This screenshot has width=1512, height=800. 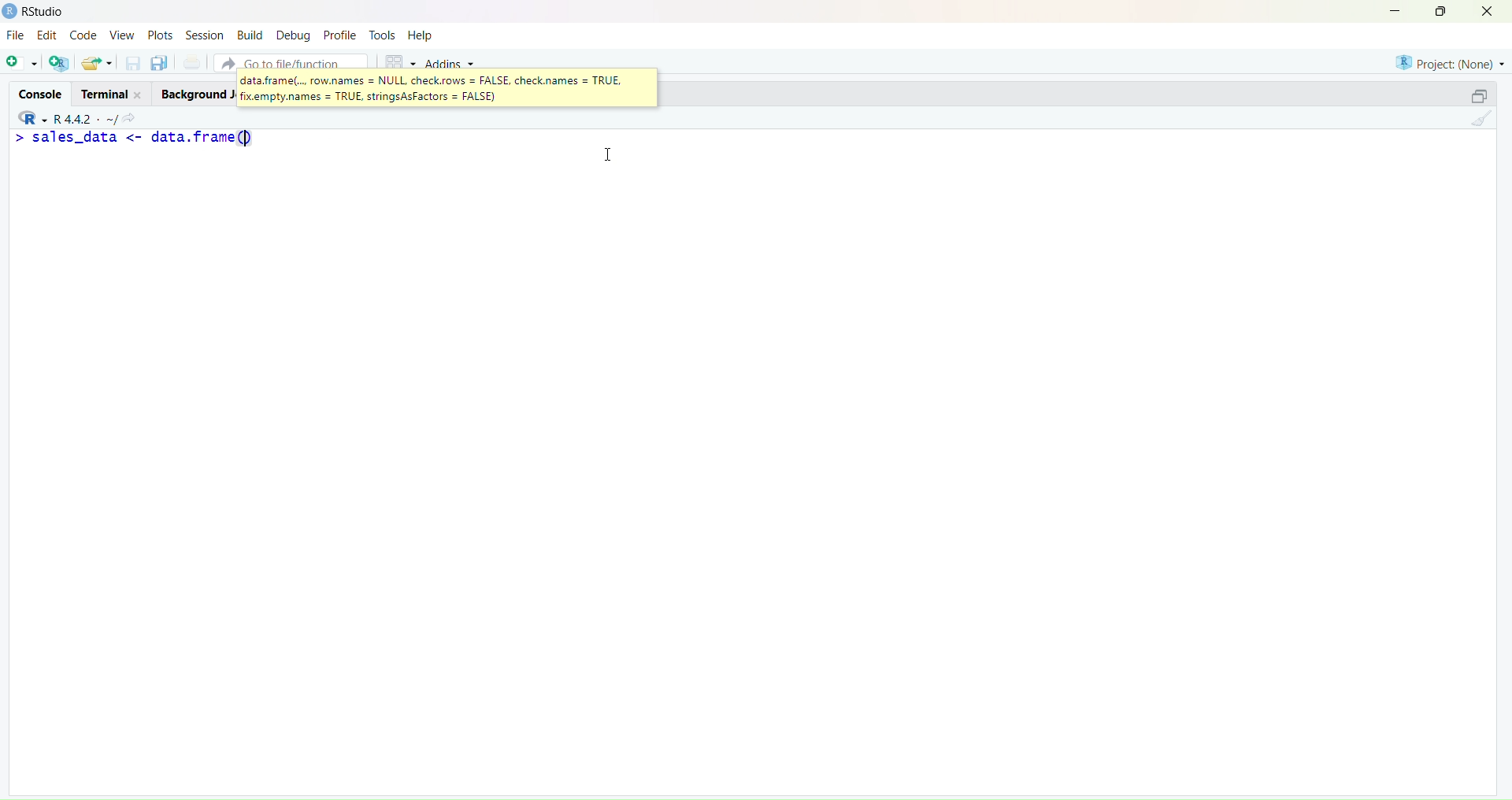 What do you see at coordinates (40, 9) in the screenshot?
I see `) RStudio` at bounding box center [40, 9].